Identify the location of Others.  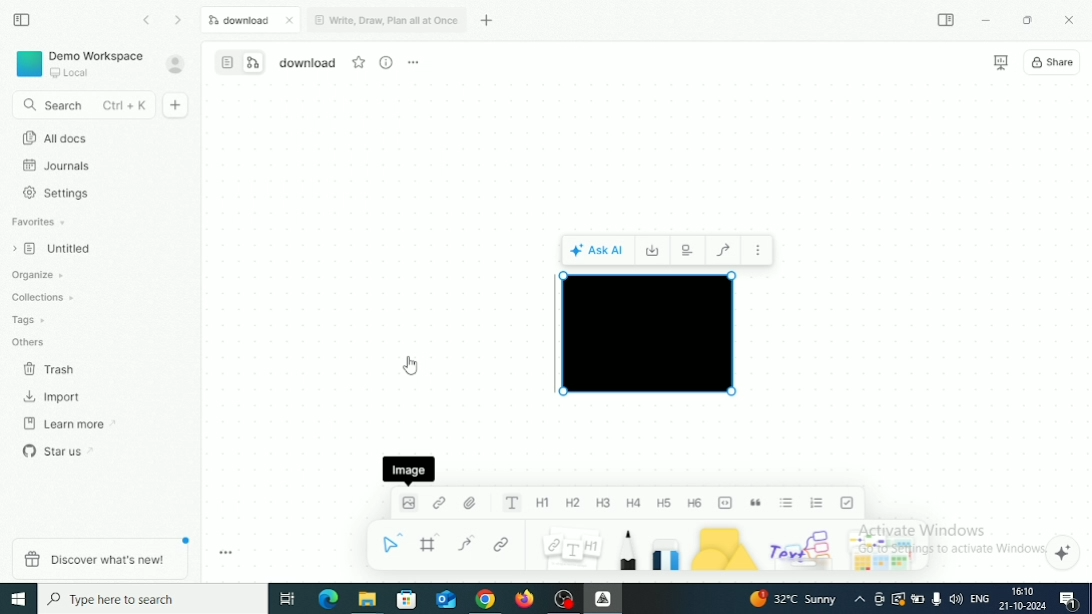
(35, 344).